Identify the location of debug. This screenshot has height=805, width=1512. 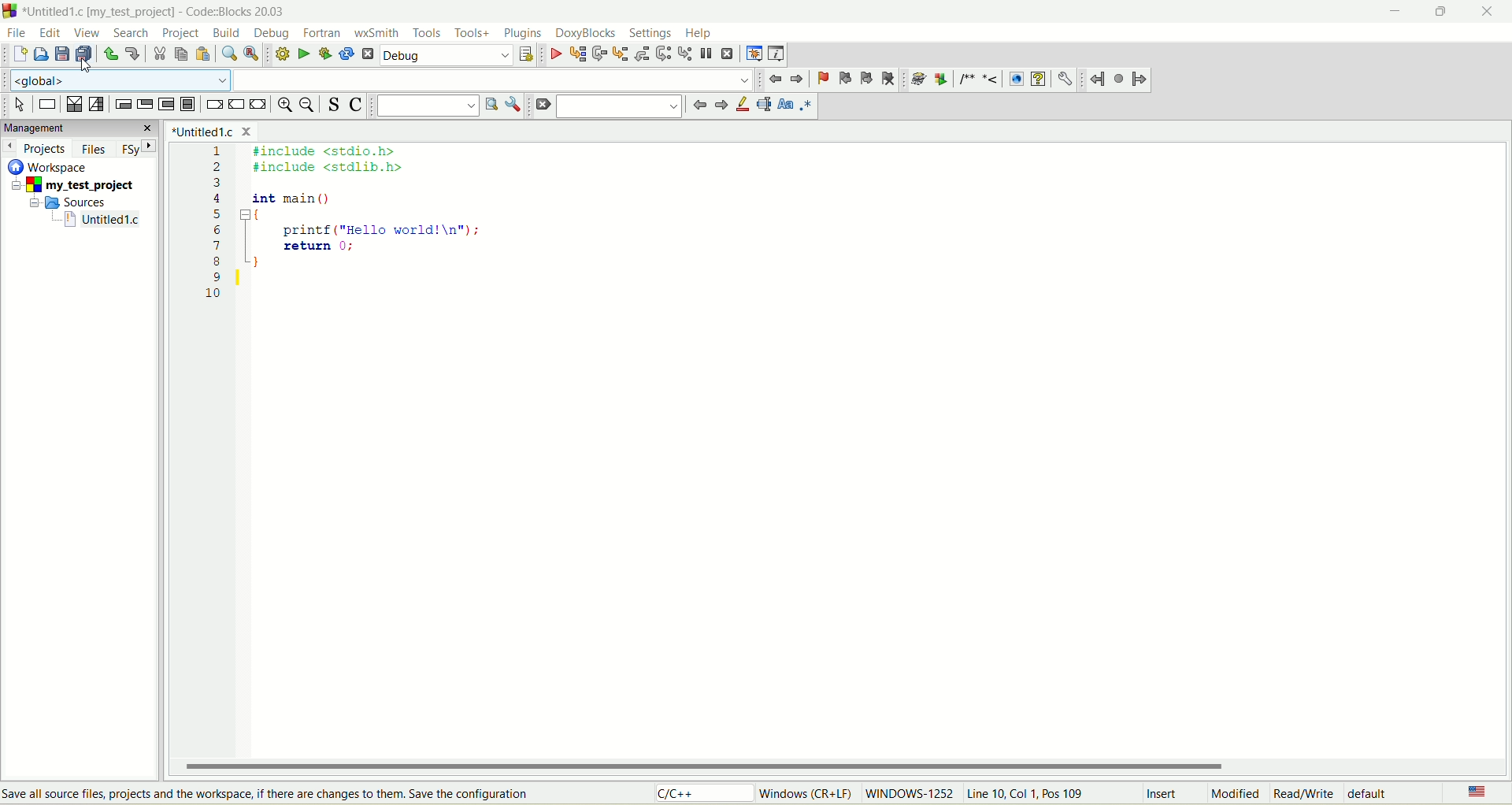
(445, 54).